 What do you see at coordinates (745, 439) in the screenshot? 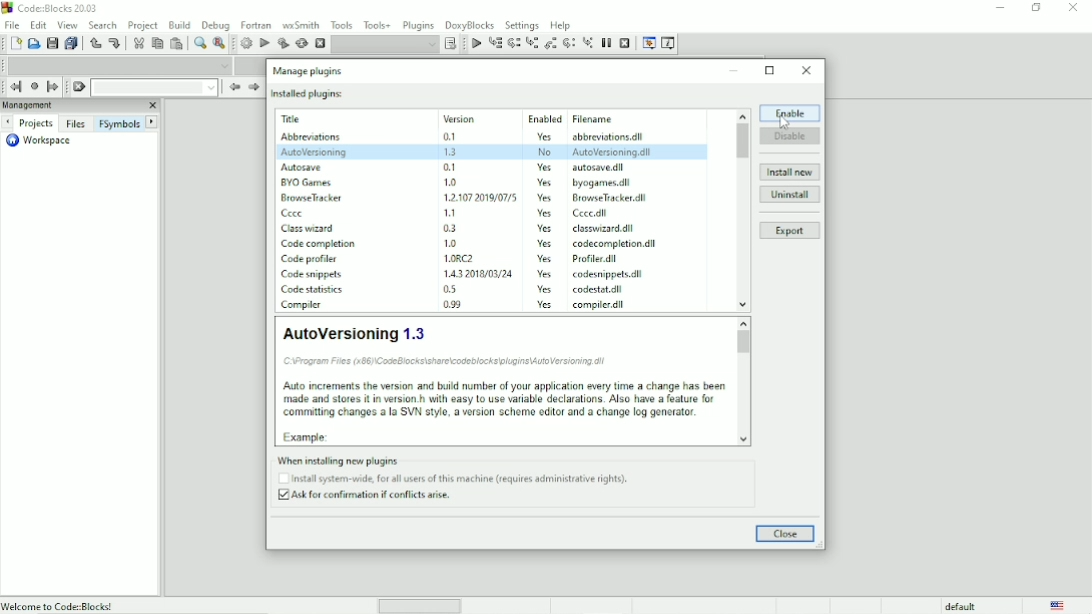
I see `scroll down ` at bounding box center [745, 439].